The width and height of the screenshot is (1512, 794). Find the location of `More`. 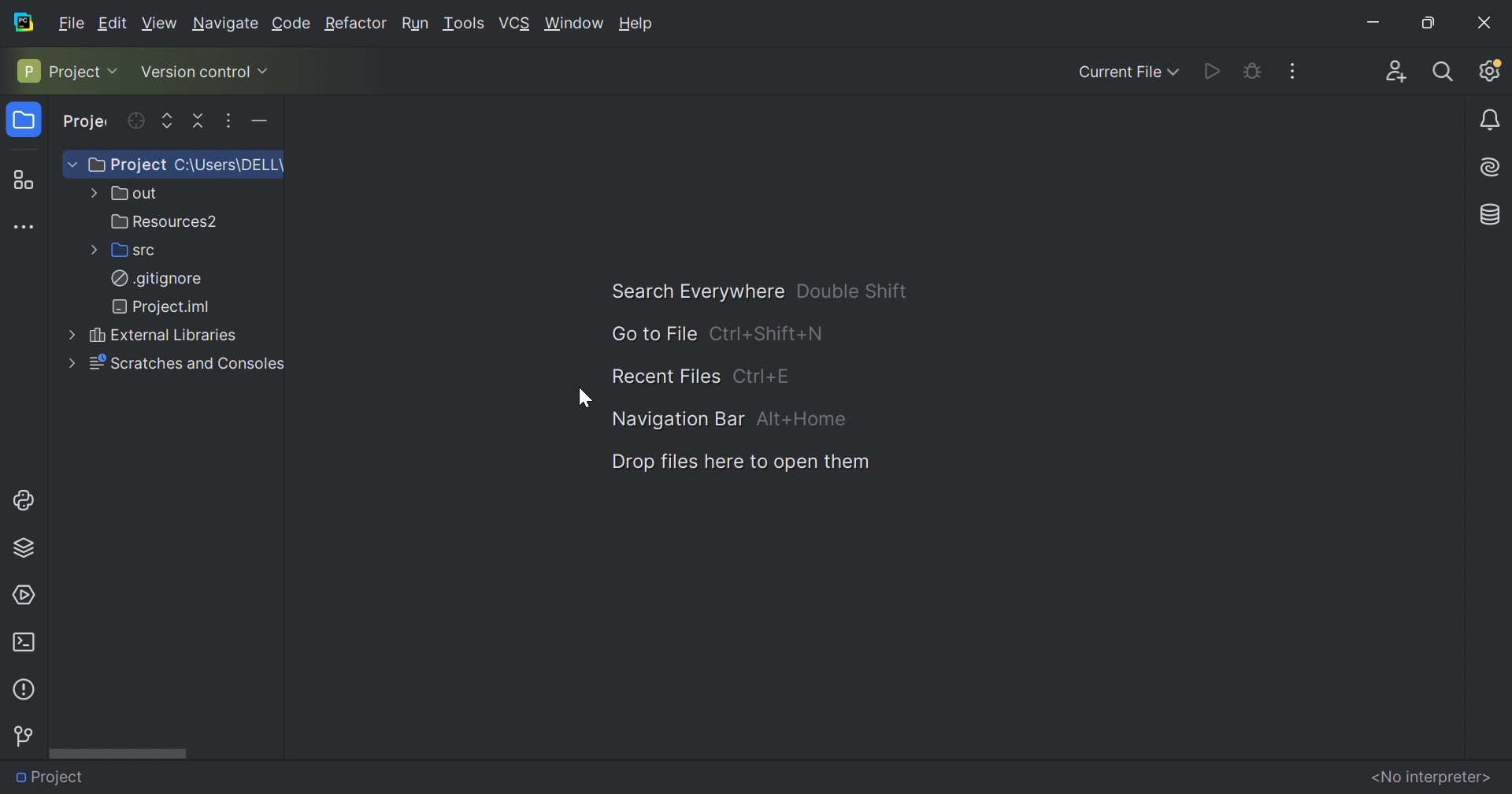

More is located at coordinates (67, 336).